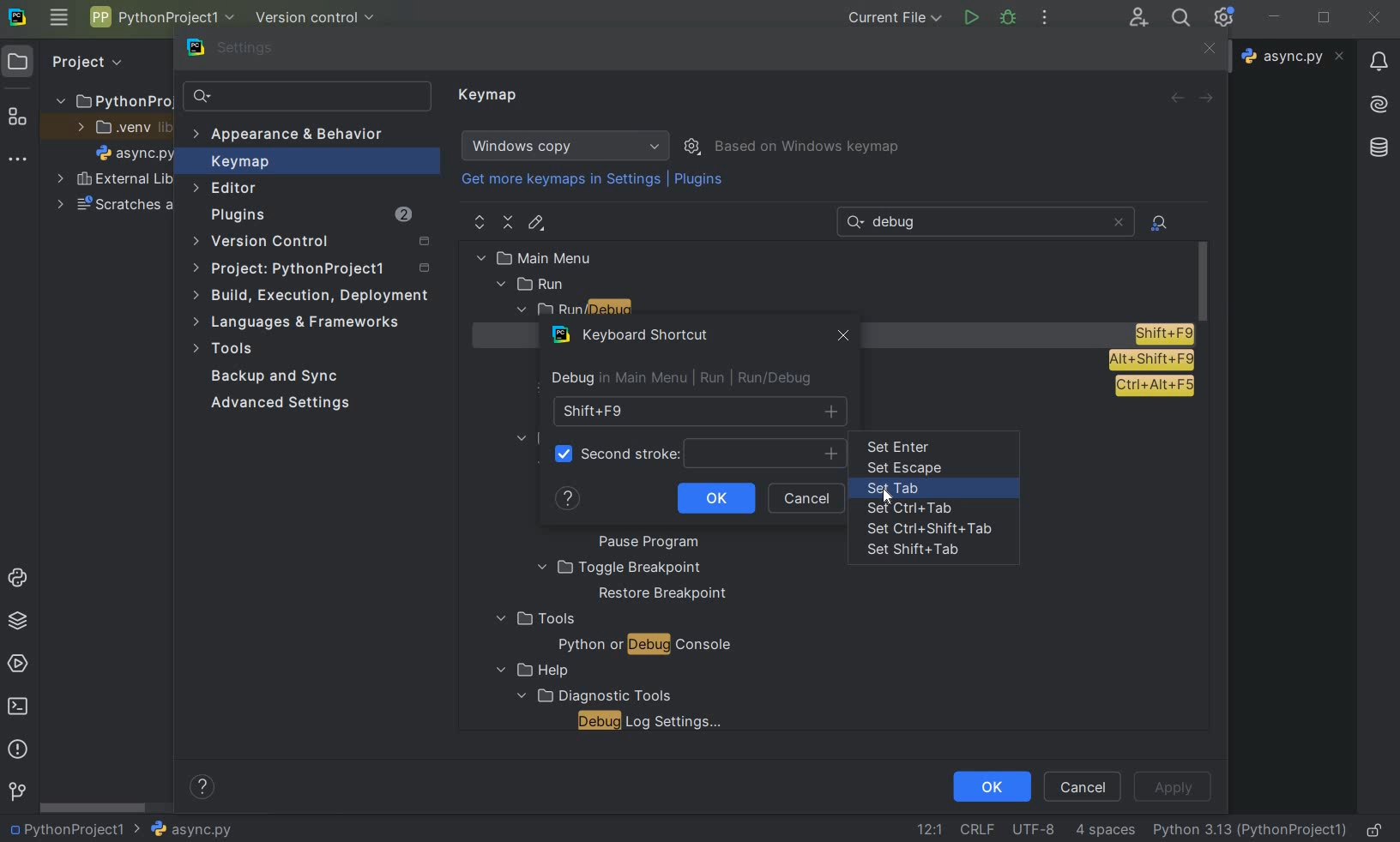 The height and width of the screenshot is (842, 1400). I want to click on code with me, so click(1138, 16).